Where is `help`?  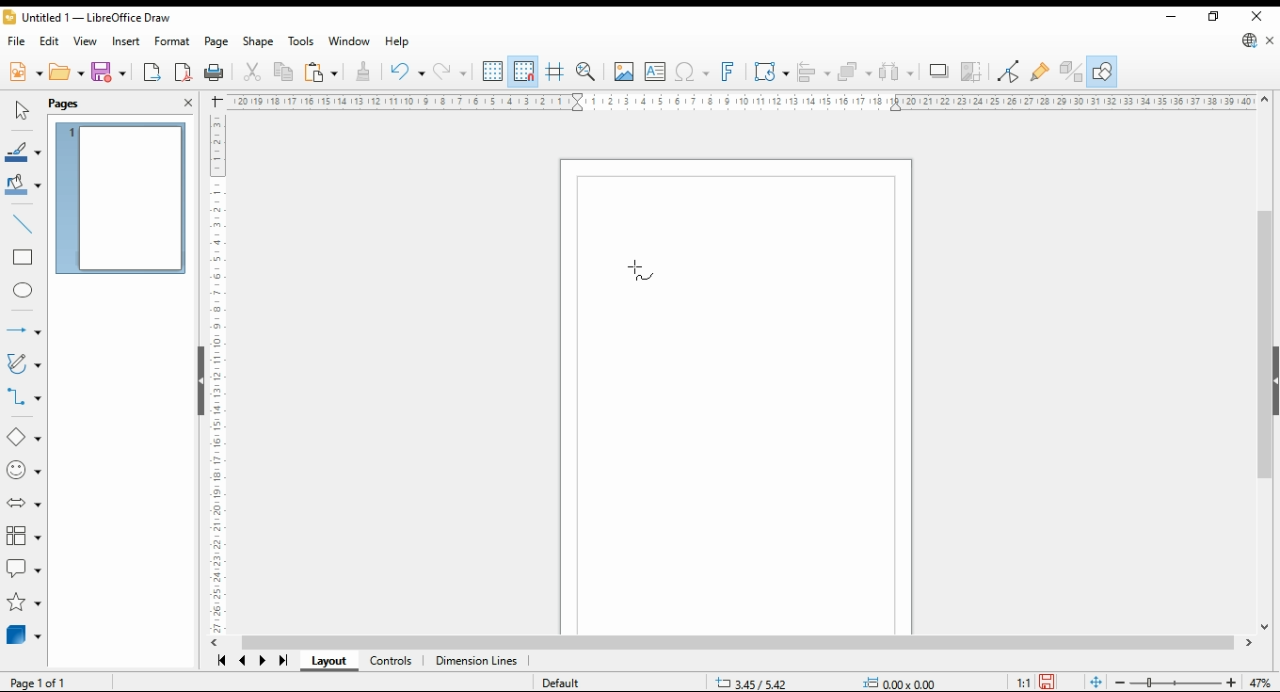
help is located at coordinates (398, 41).